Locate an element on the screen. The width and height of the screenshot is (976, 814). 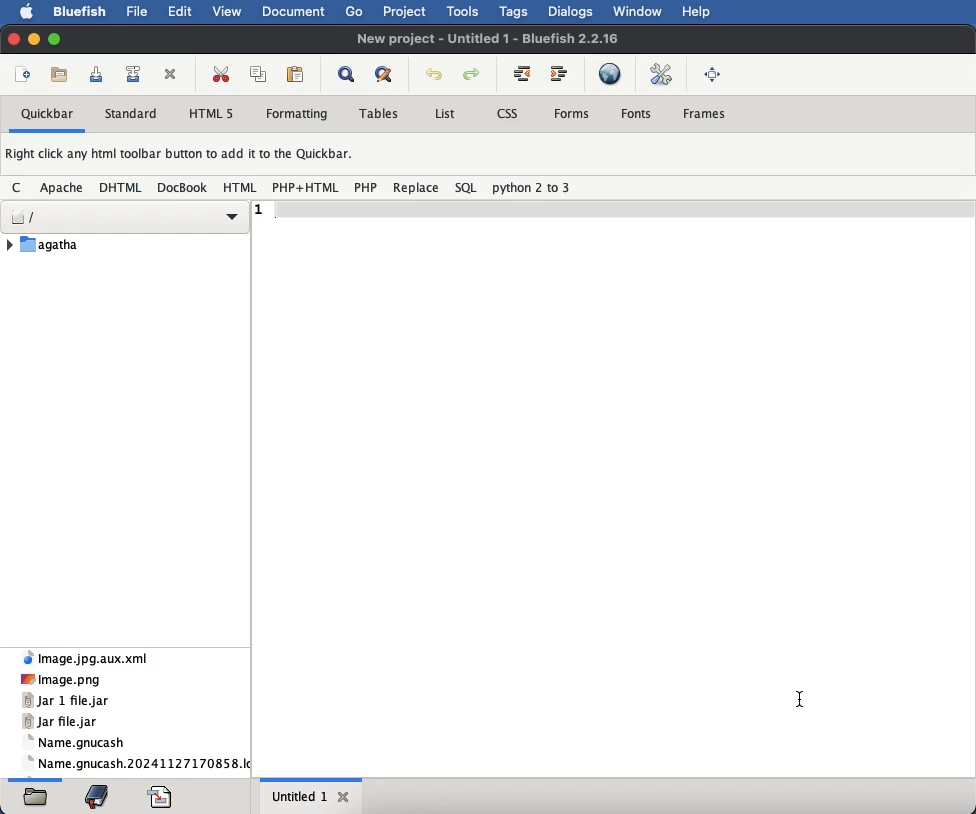
folder is located at coordinates (35, 799).